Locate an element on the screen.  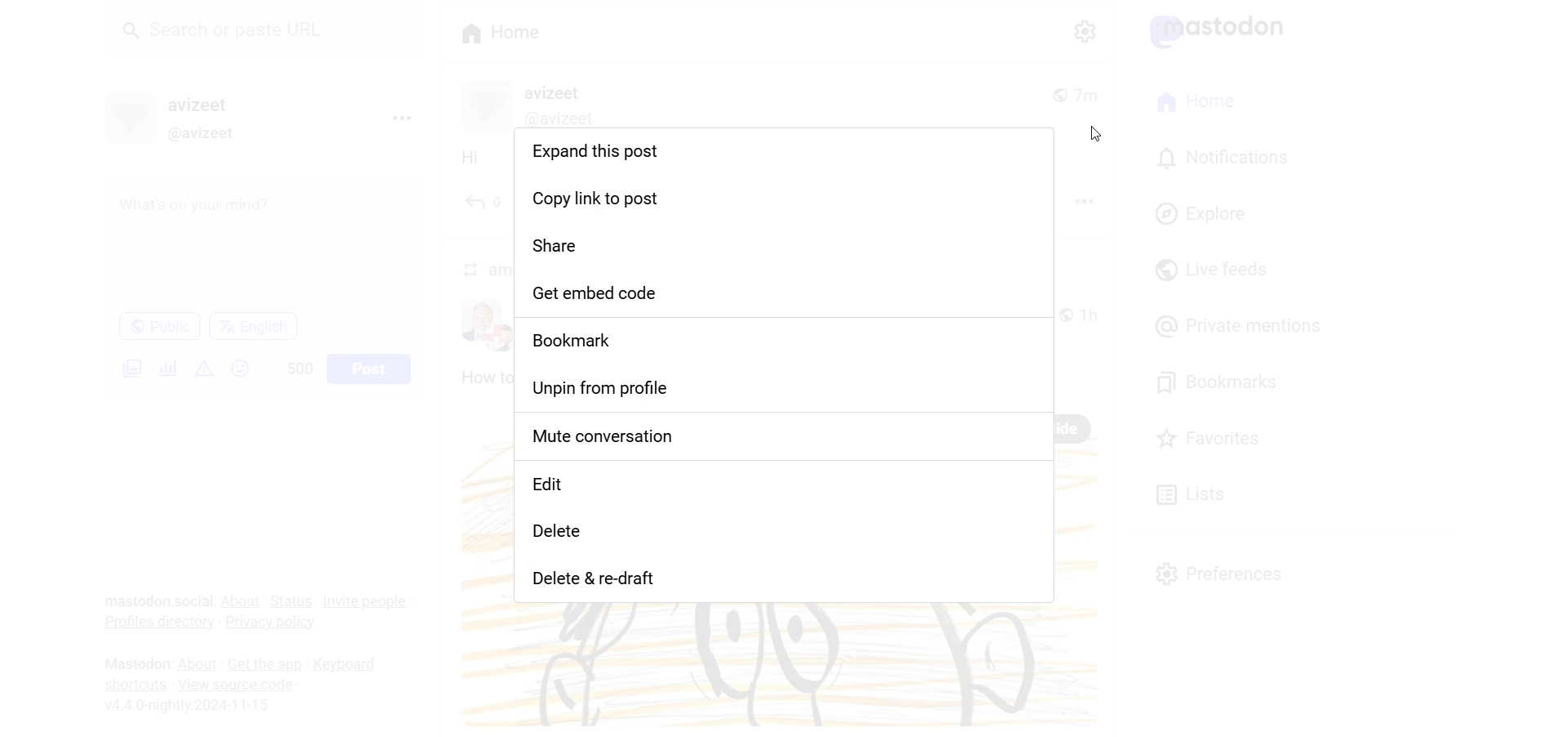
Word Limit is located at coordinates (301, 367).